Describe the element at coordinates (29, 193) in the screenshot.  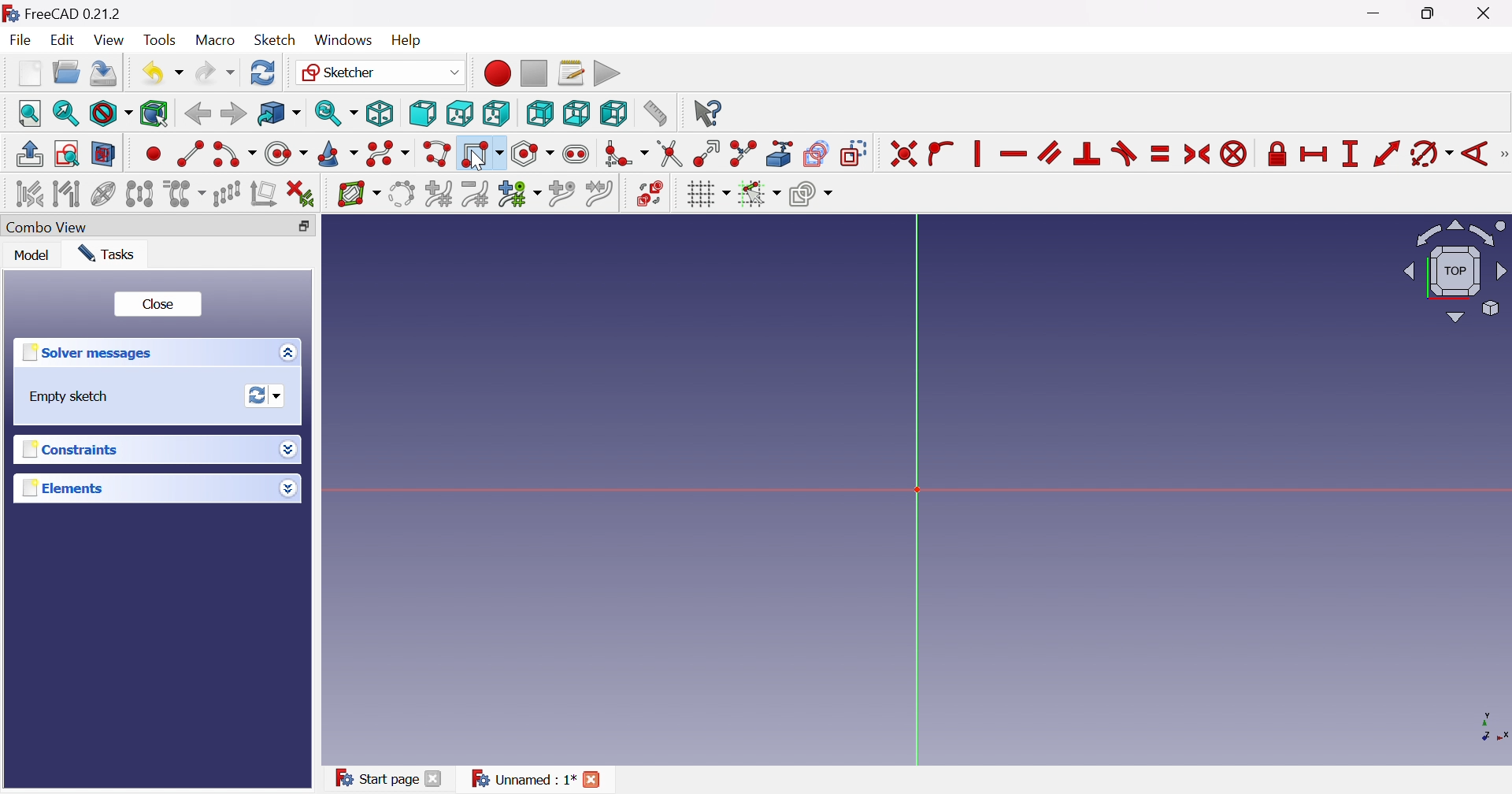
I see `Select associated constraints` at that location.